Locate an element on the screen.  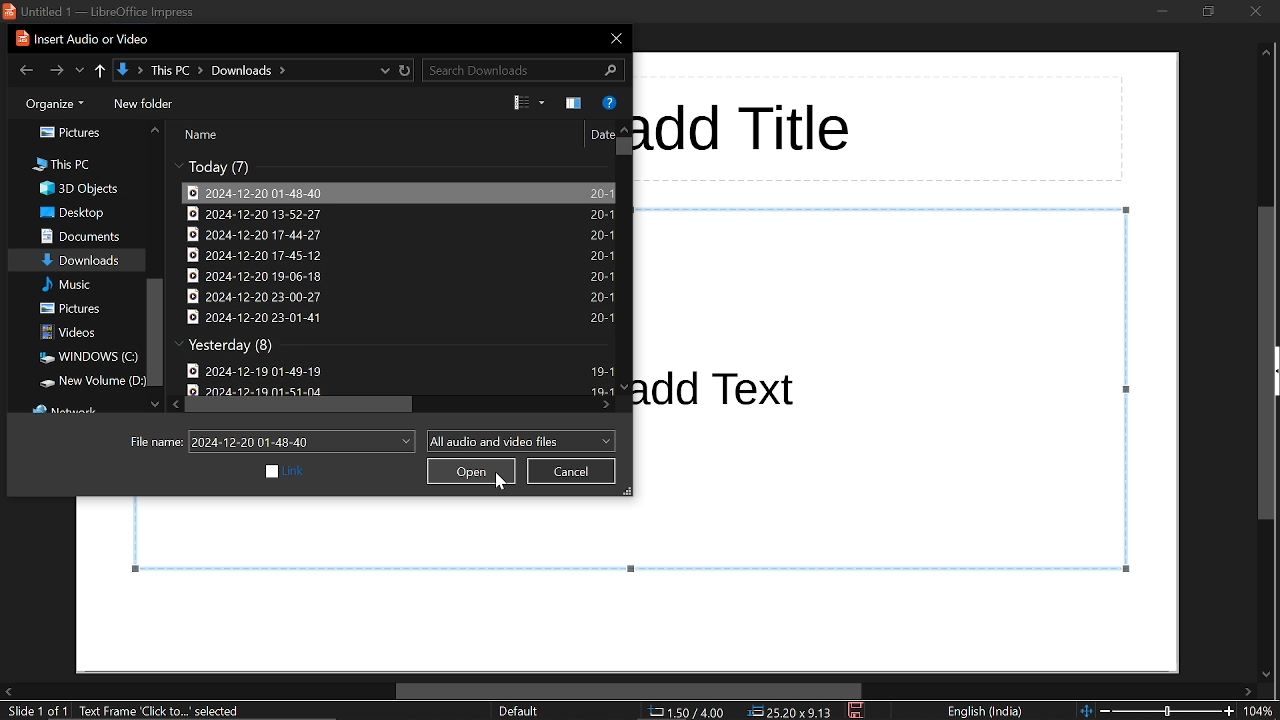
move up is located at coordinates (1266, 55).